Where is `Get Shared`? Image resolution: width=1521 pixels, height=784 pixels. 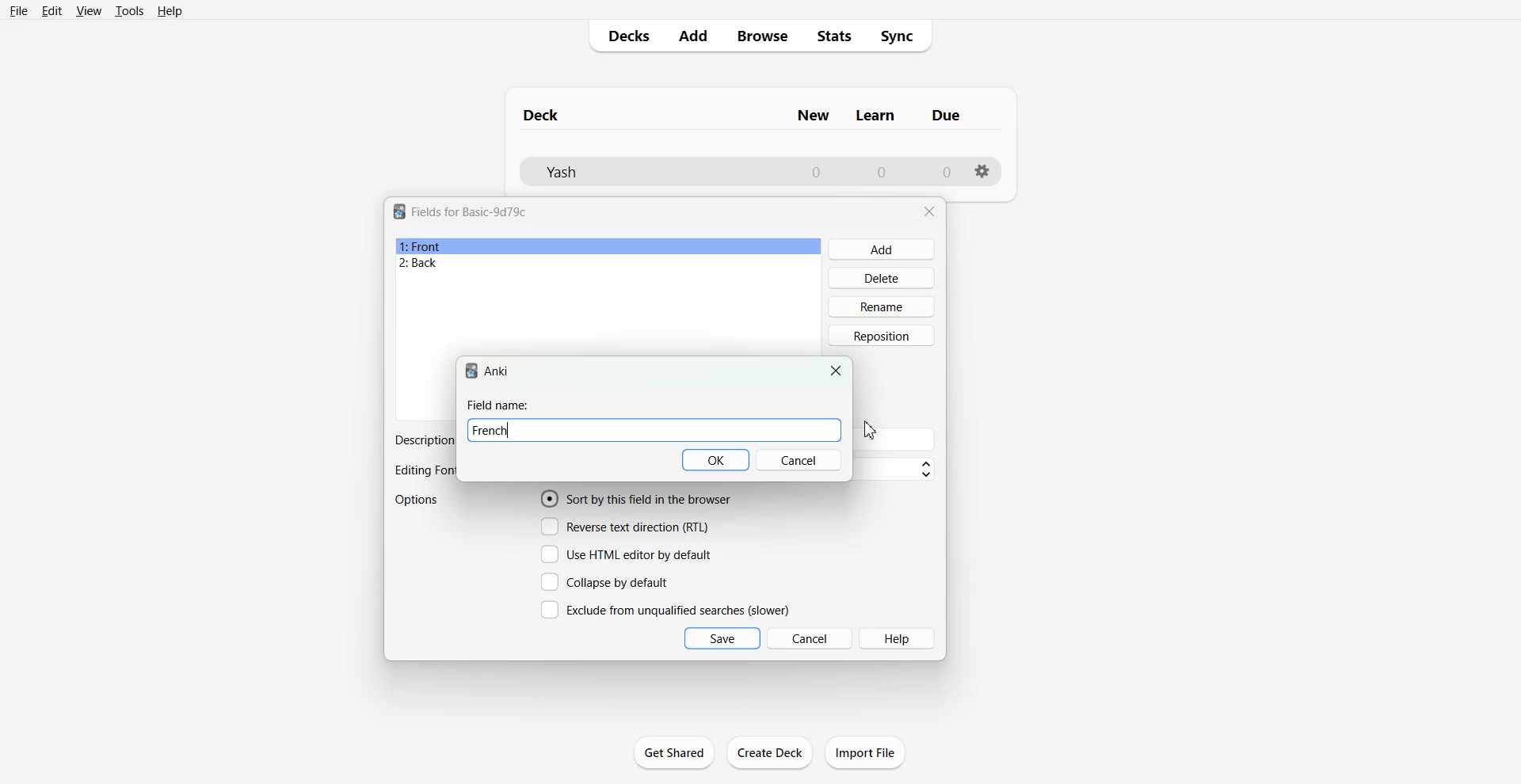
Get Shared is located at coordinates (674, 752).